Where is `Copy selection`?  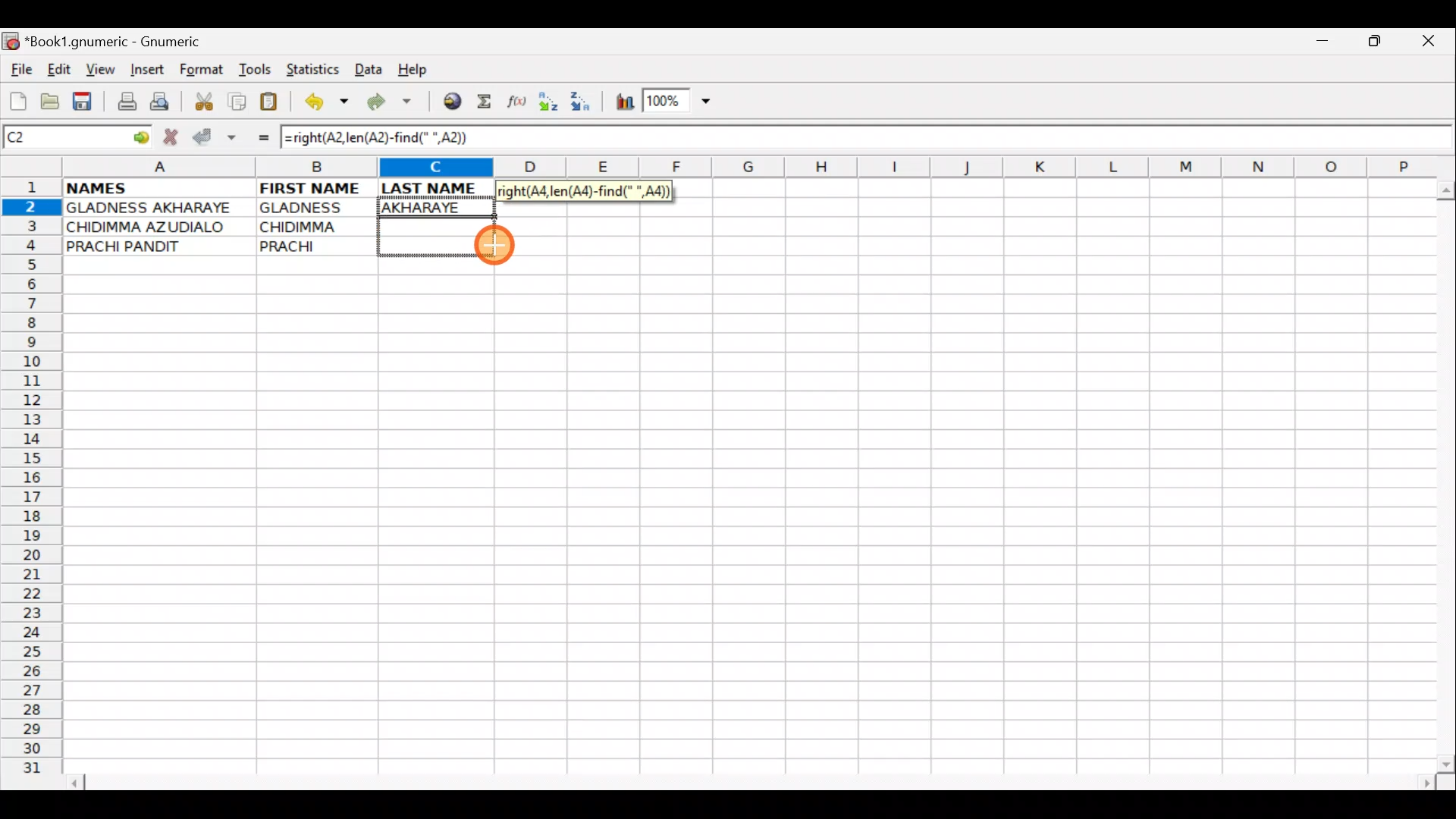 Copy selection is located at coordinates (238, 101).